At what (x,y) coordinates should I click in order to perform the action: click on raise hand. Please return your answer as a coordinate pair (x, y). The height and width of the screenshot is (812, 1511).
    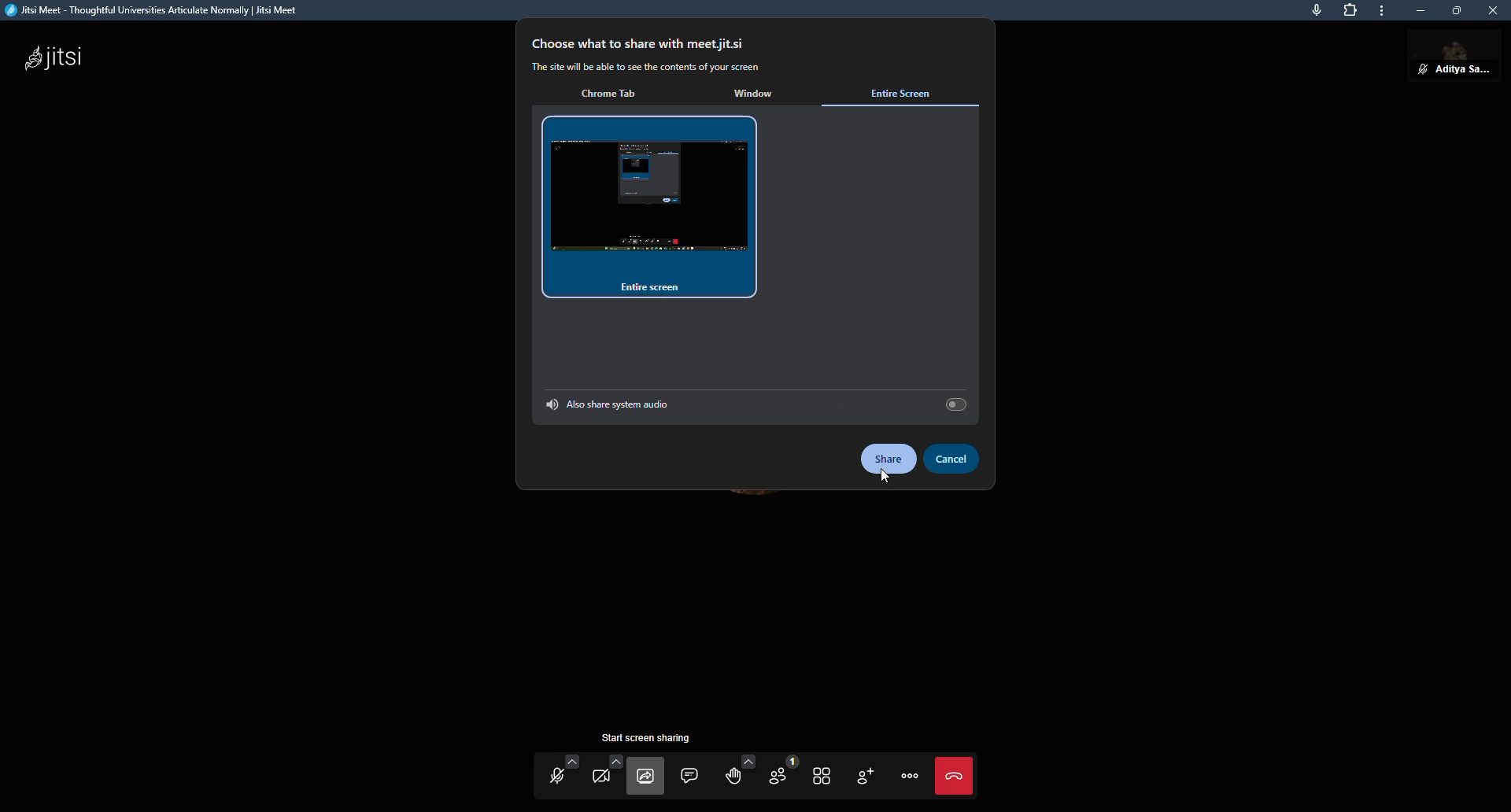
    Looking at the image, I should click on (734, 777).